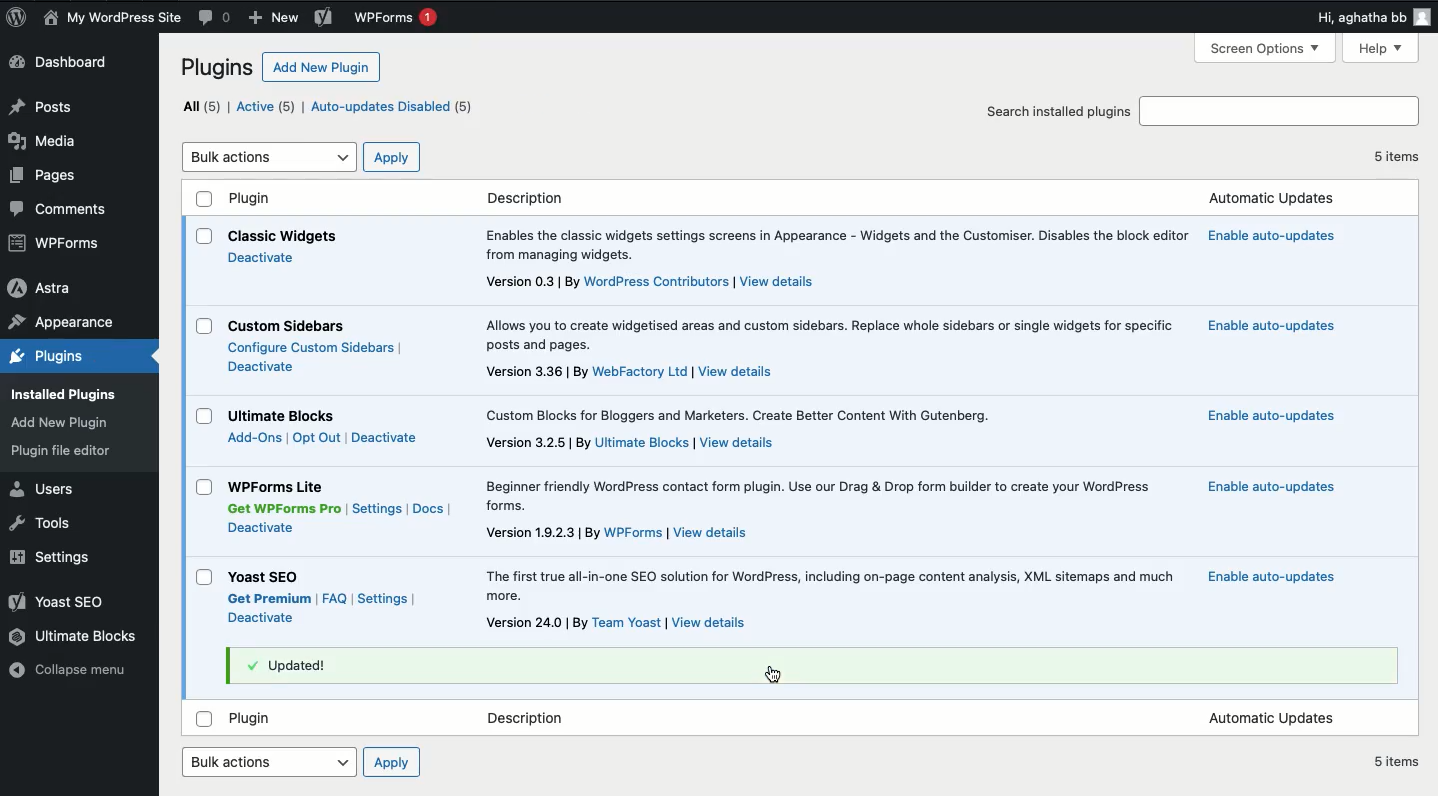 The image size is (1438, 796). Describe the element at coordinates (205, 416) in the screenshot. I see `Checkbox` at that location.